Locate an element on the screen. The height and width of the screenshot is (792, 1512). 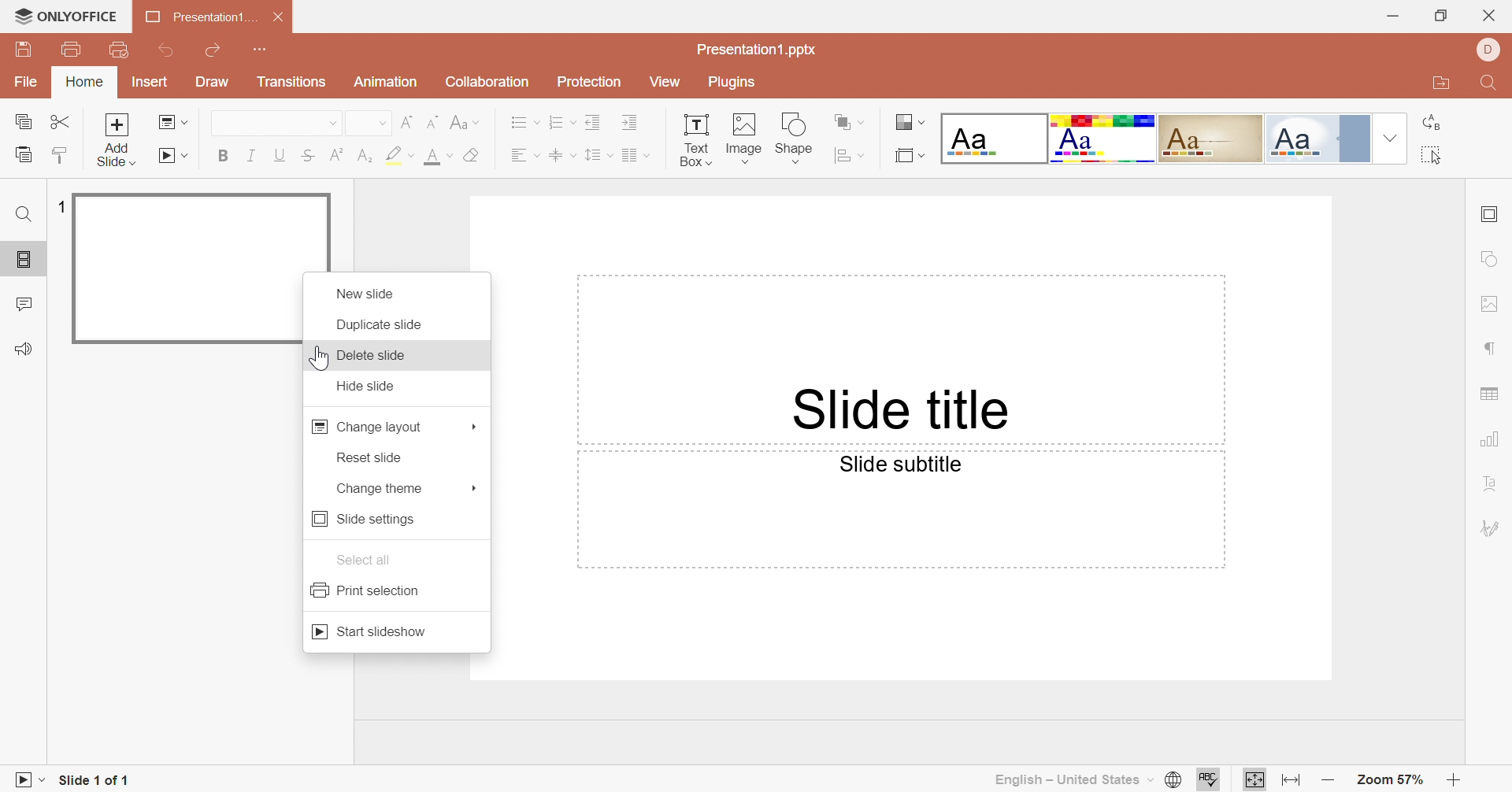
Text Art settings is located at coordinates (1492, 479).